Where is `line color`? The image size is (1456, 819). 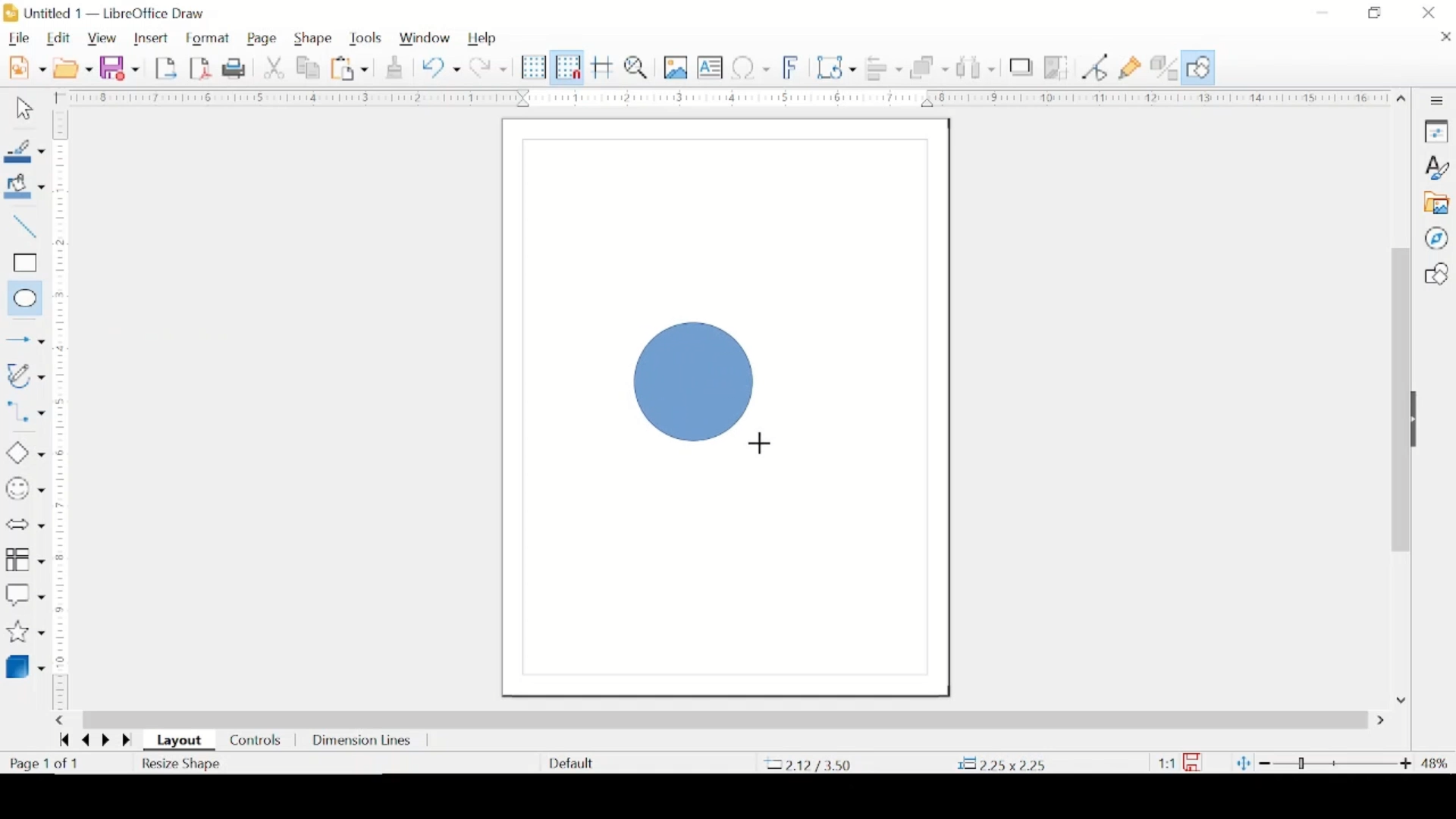
line color is located at coordinates (24, 151).